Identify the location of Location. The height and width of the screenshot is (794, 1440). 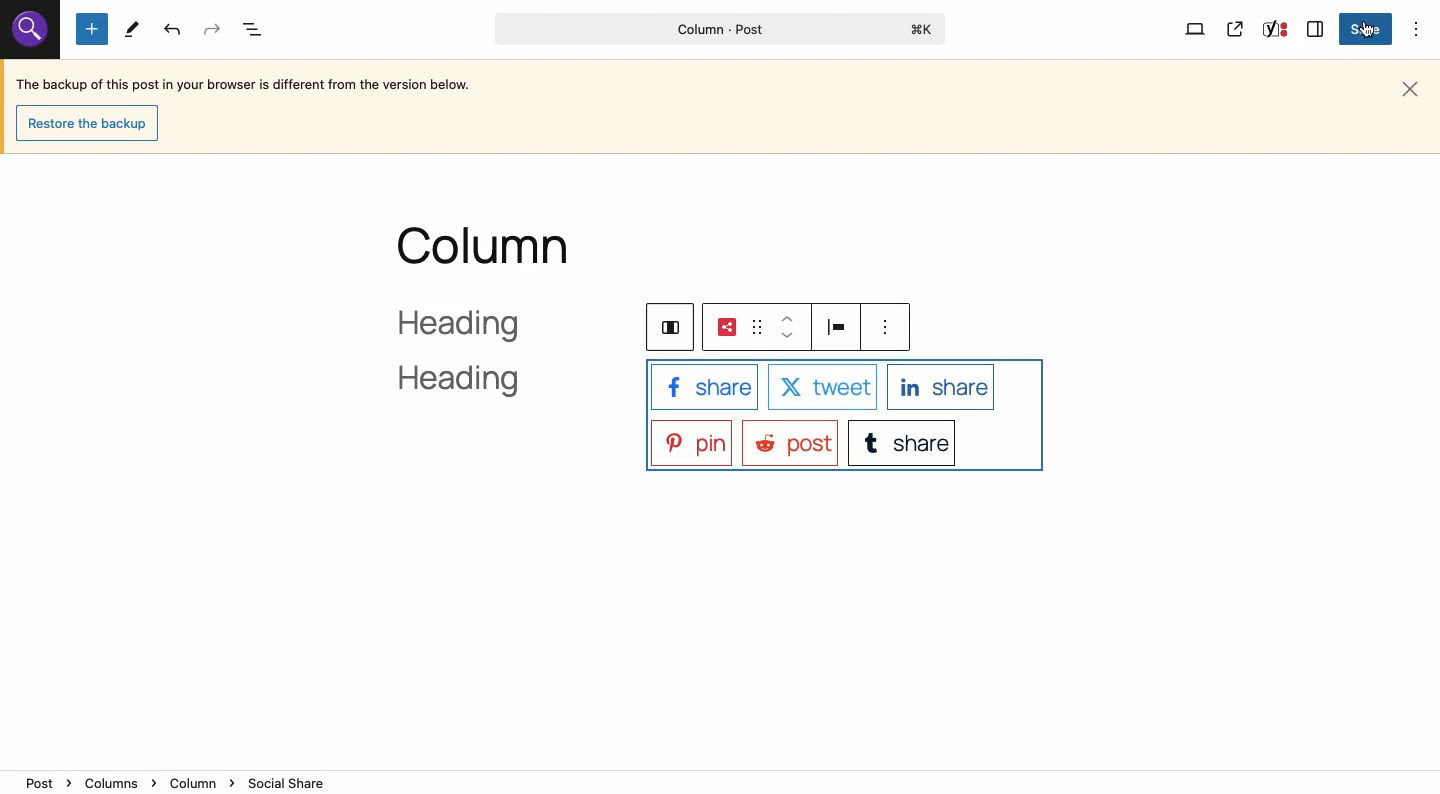
(722, 782).